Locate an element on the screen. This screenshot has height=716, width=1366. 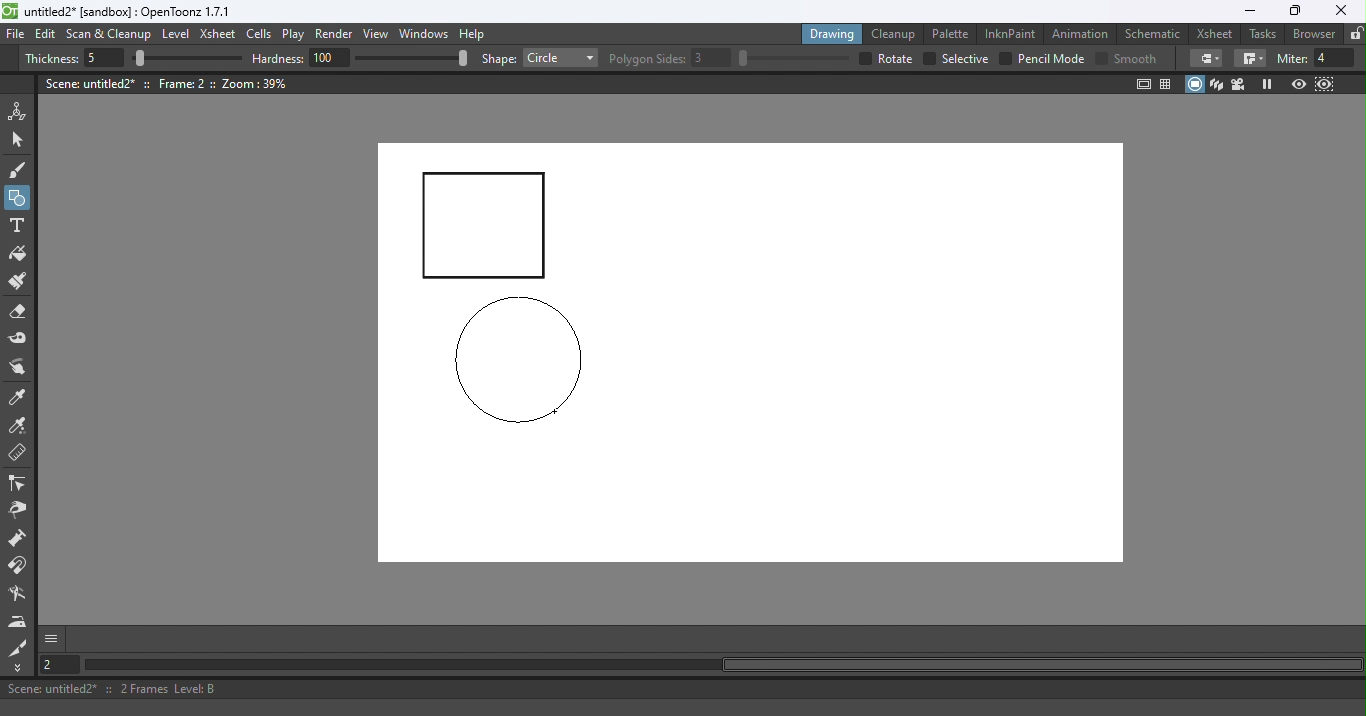
Fill tool is located at coordinates (18, 256).